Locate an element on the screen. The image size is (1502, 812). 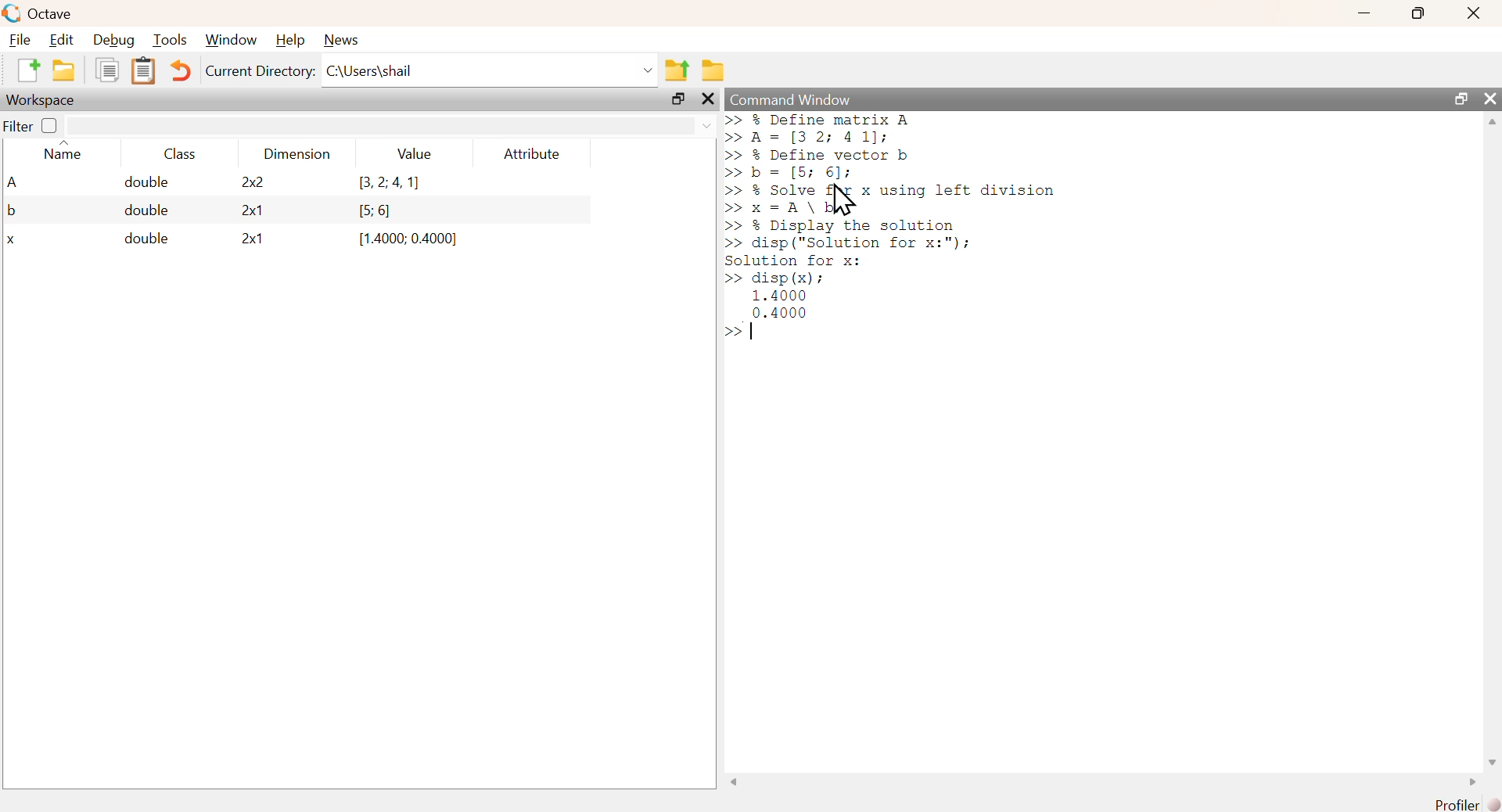
text cursor is located at coordinates (755, 332).